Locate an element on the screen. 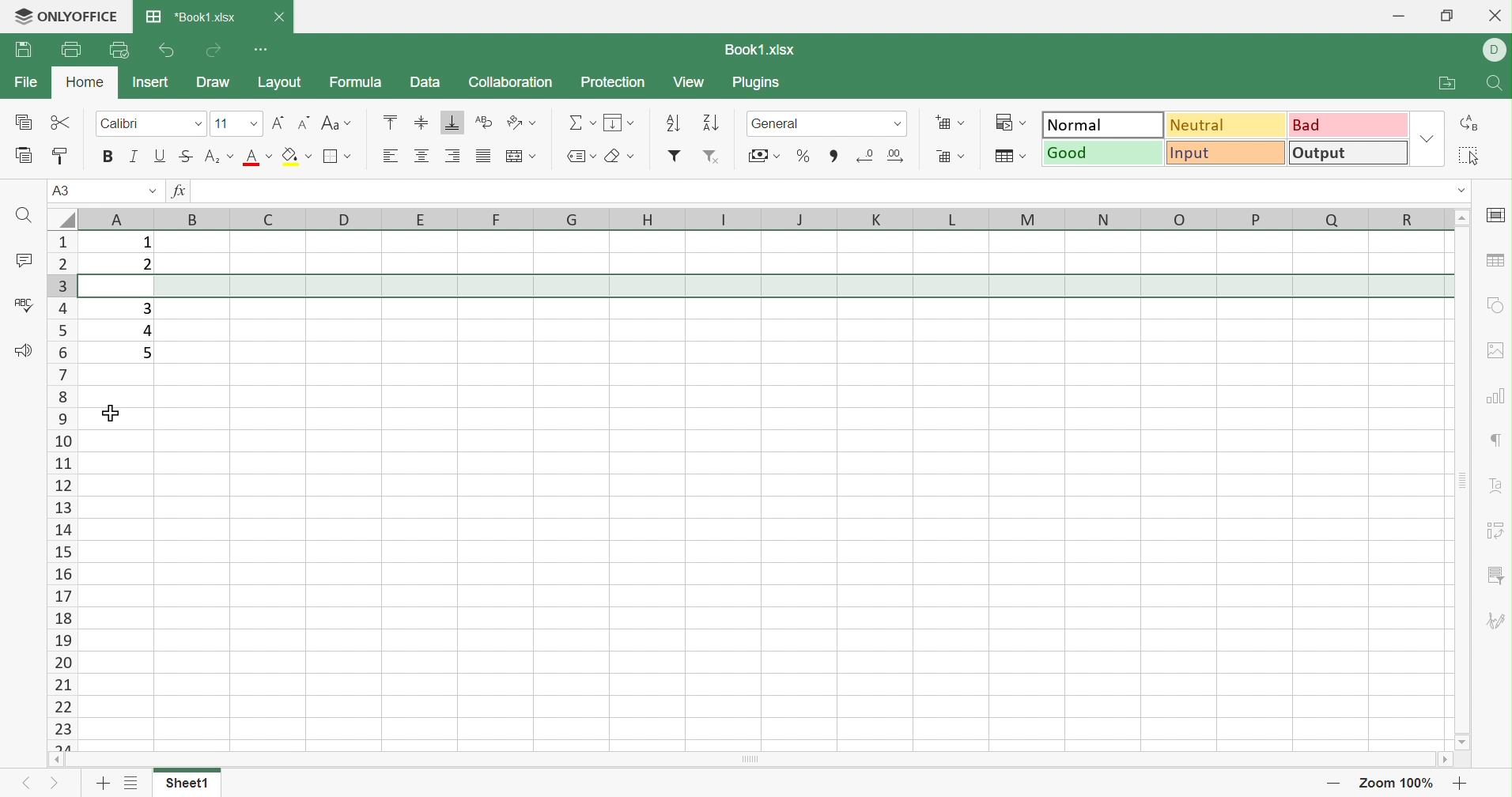 The height and width of the screenshot is (797, 1512). Zoom in is located at coordinates (1465, 784).